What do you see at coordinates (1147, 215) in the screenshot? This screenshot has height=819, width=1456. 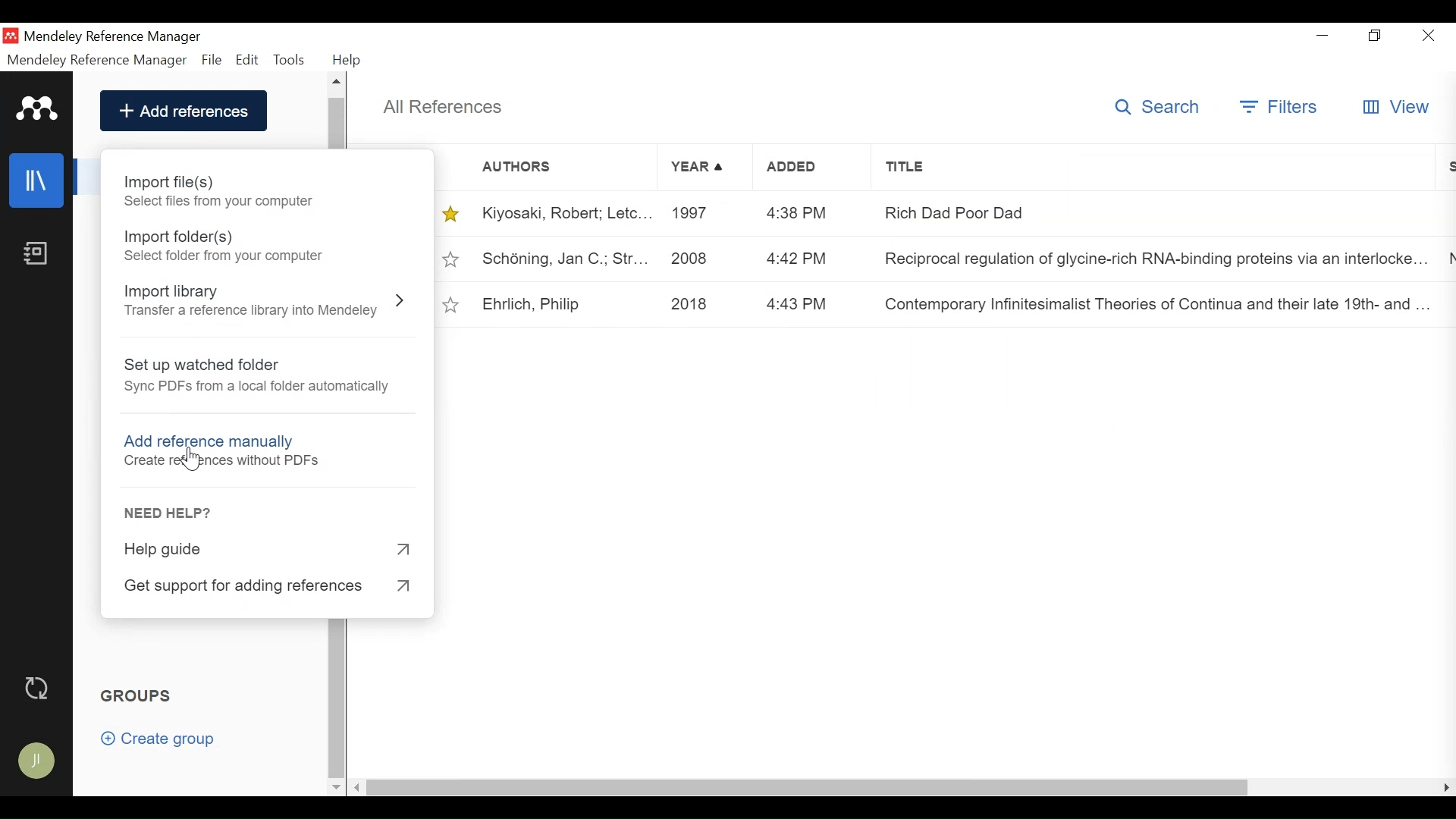 I see `Rich Dad Poor Dad` at bounding box center [1147, 215].